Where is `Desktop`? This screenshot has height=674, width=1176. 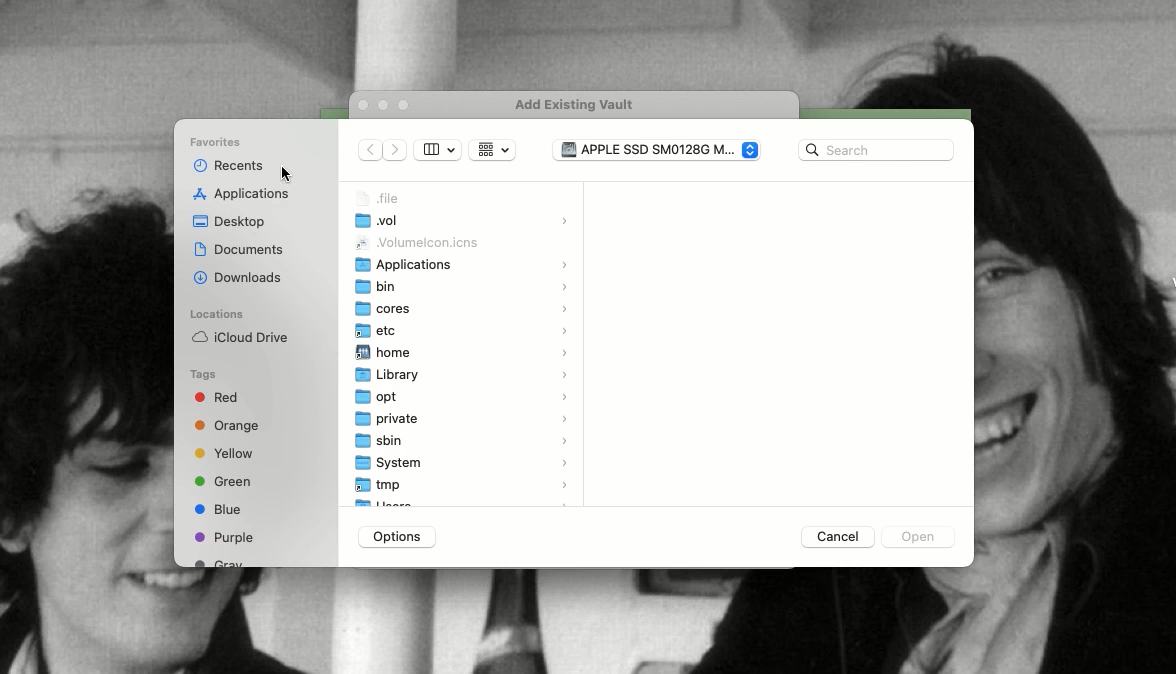 Desktop is located at coordinates (230, 223).